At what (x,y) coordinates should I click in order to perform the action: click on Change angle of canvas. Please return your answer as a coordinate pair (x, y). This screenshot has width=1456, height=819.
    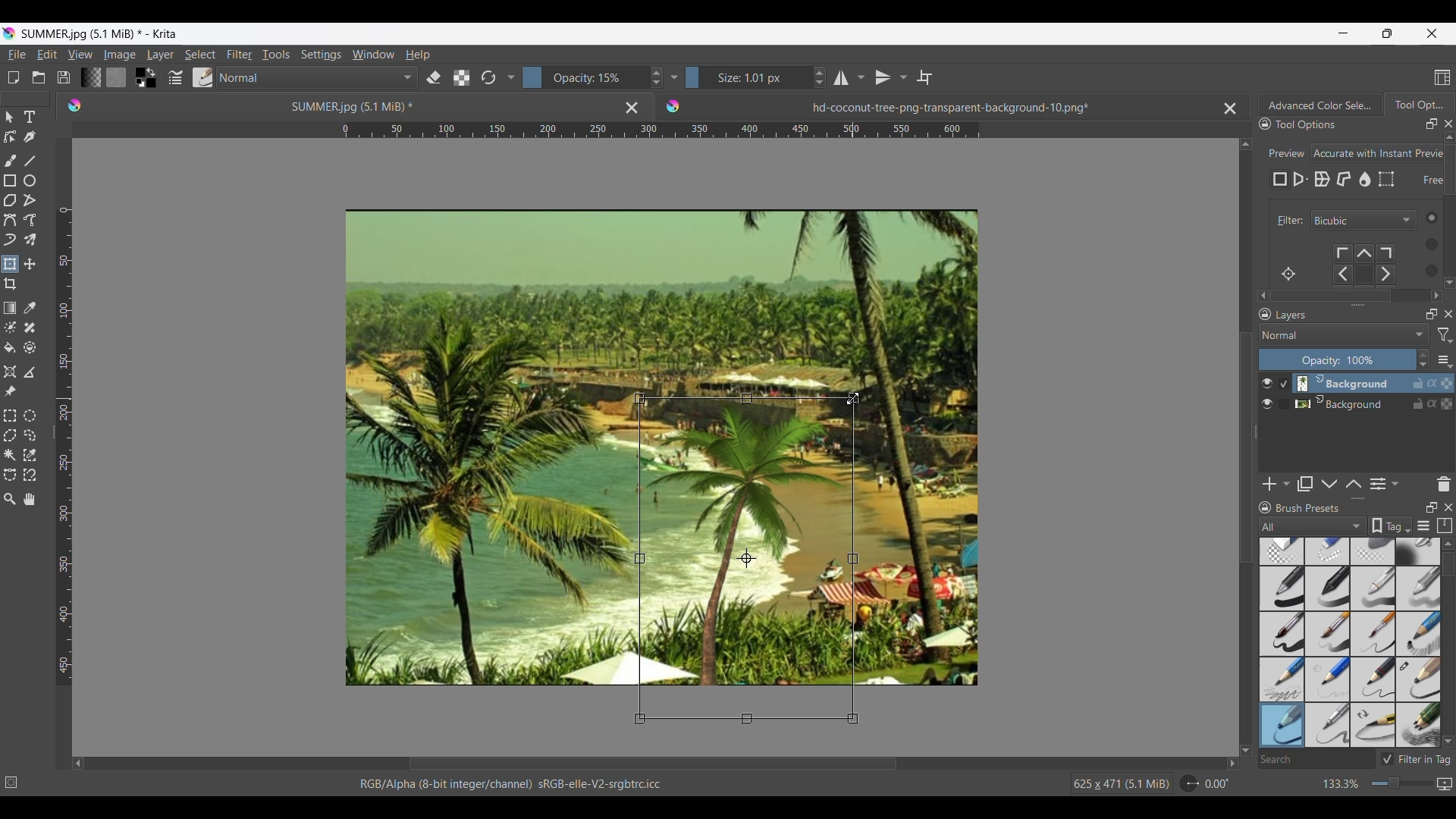
    Looking at the image, I should click on (1206, 783).